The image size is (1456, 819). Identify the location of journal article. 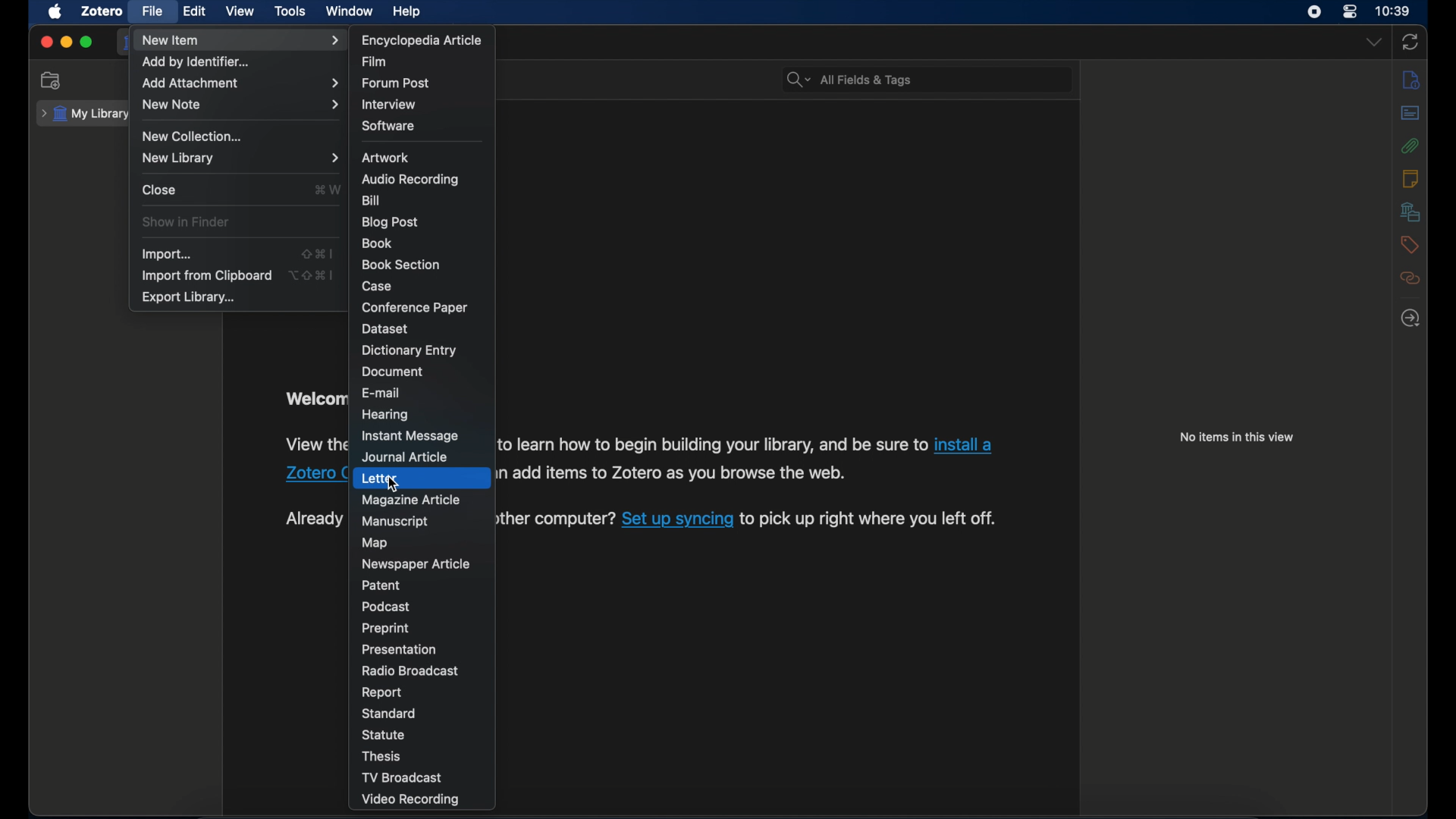
(408, 457).